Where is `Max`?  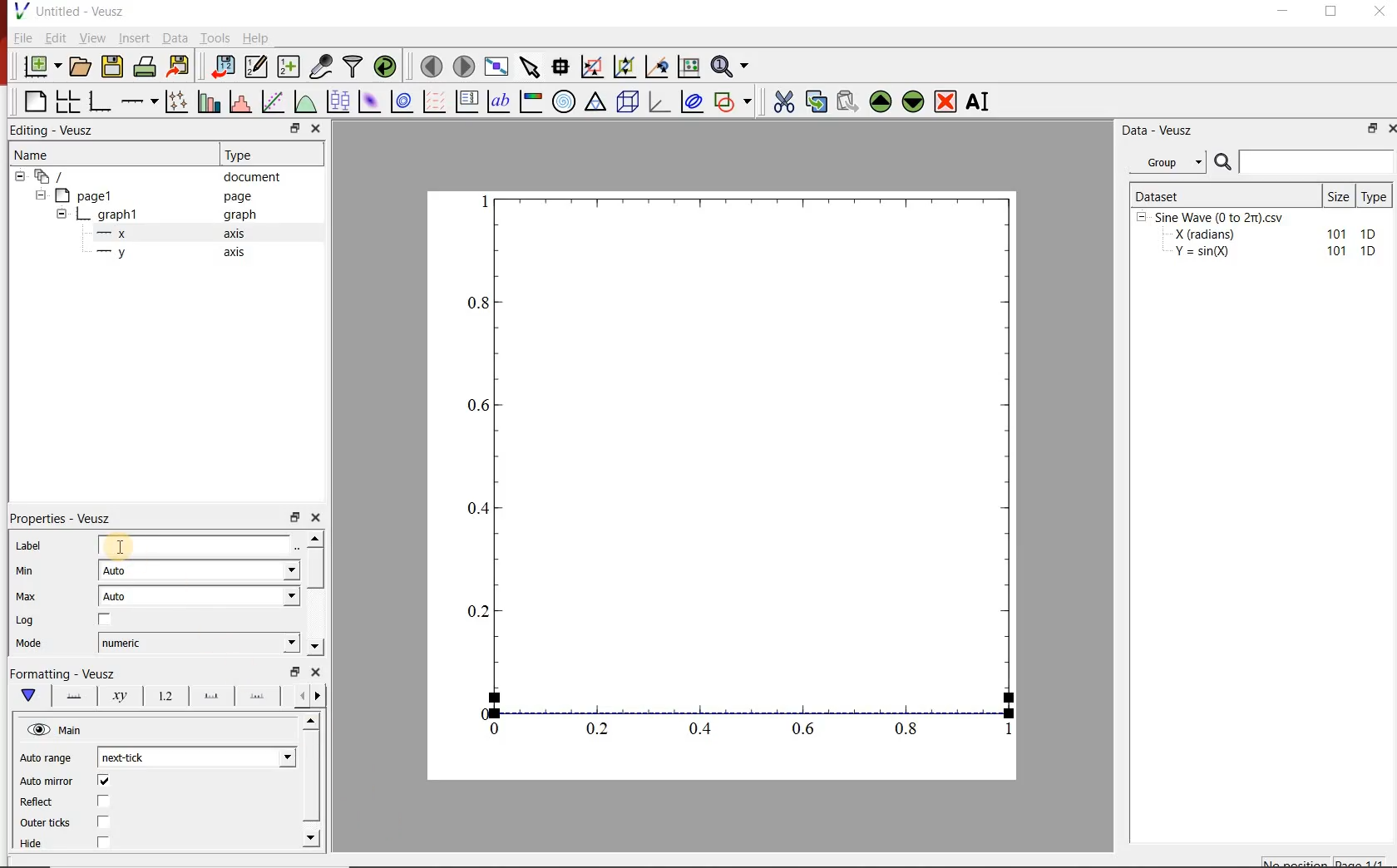 Max is located at coordinates (27, 596).